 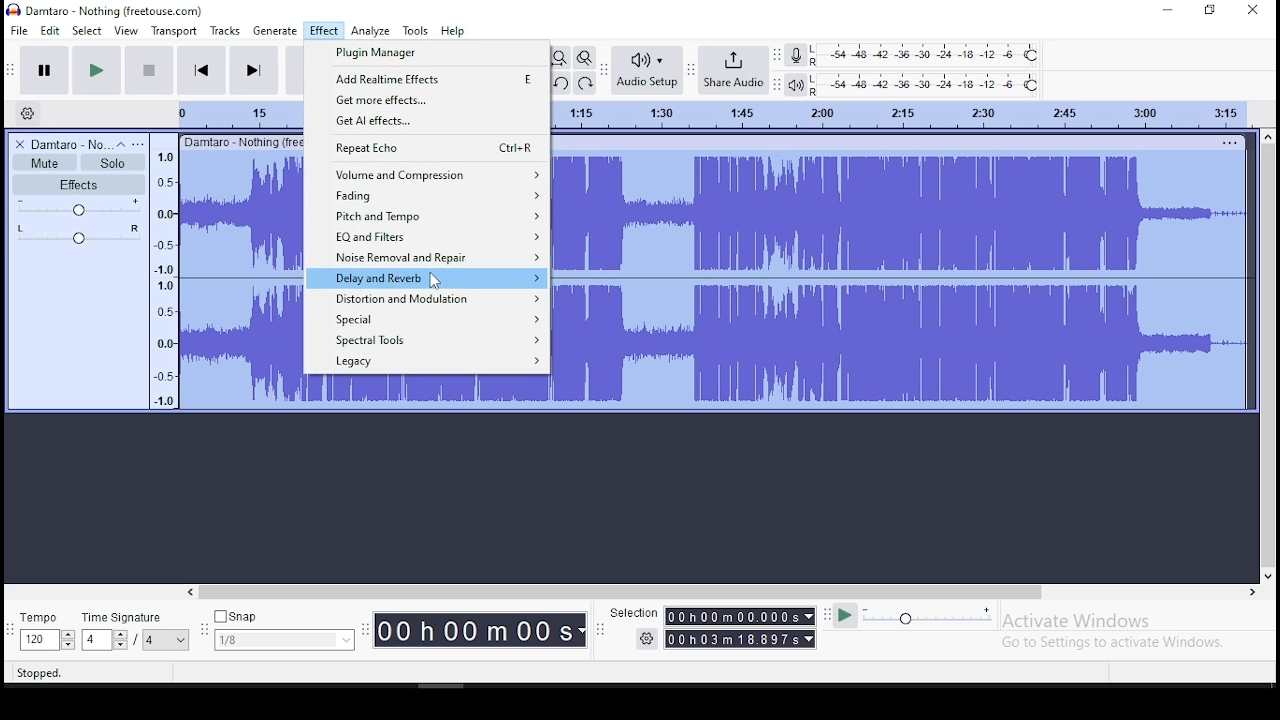 What do you see at coordinates (904, 114) in the screenshot?
I see `Audio Timeline` at bounding box center [904, 114].